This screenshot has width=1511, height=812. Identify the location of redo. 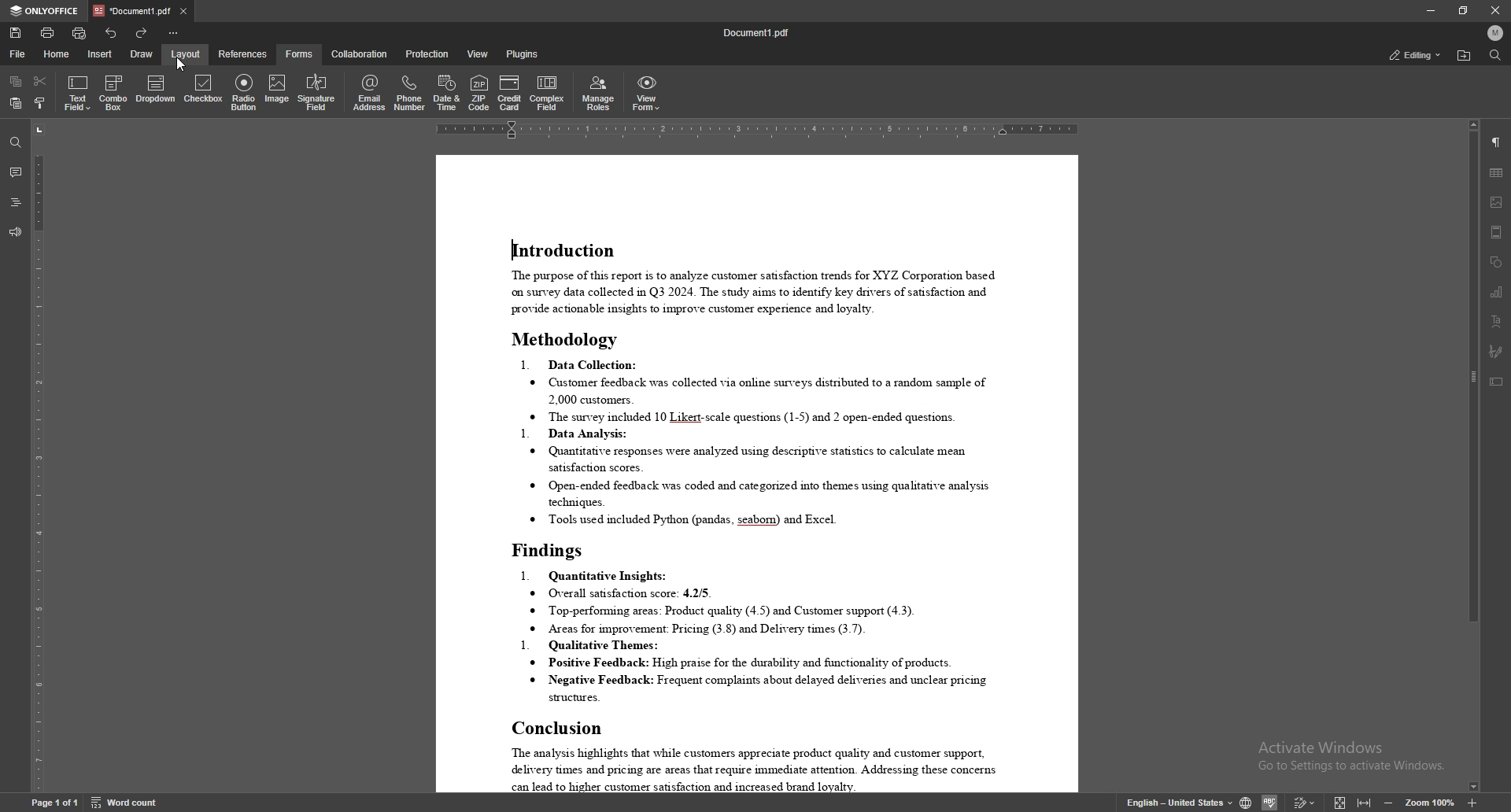
(142, 32).